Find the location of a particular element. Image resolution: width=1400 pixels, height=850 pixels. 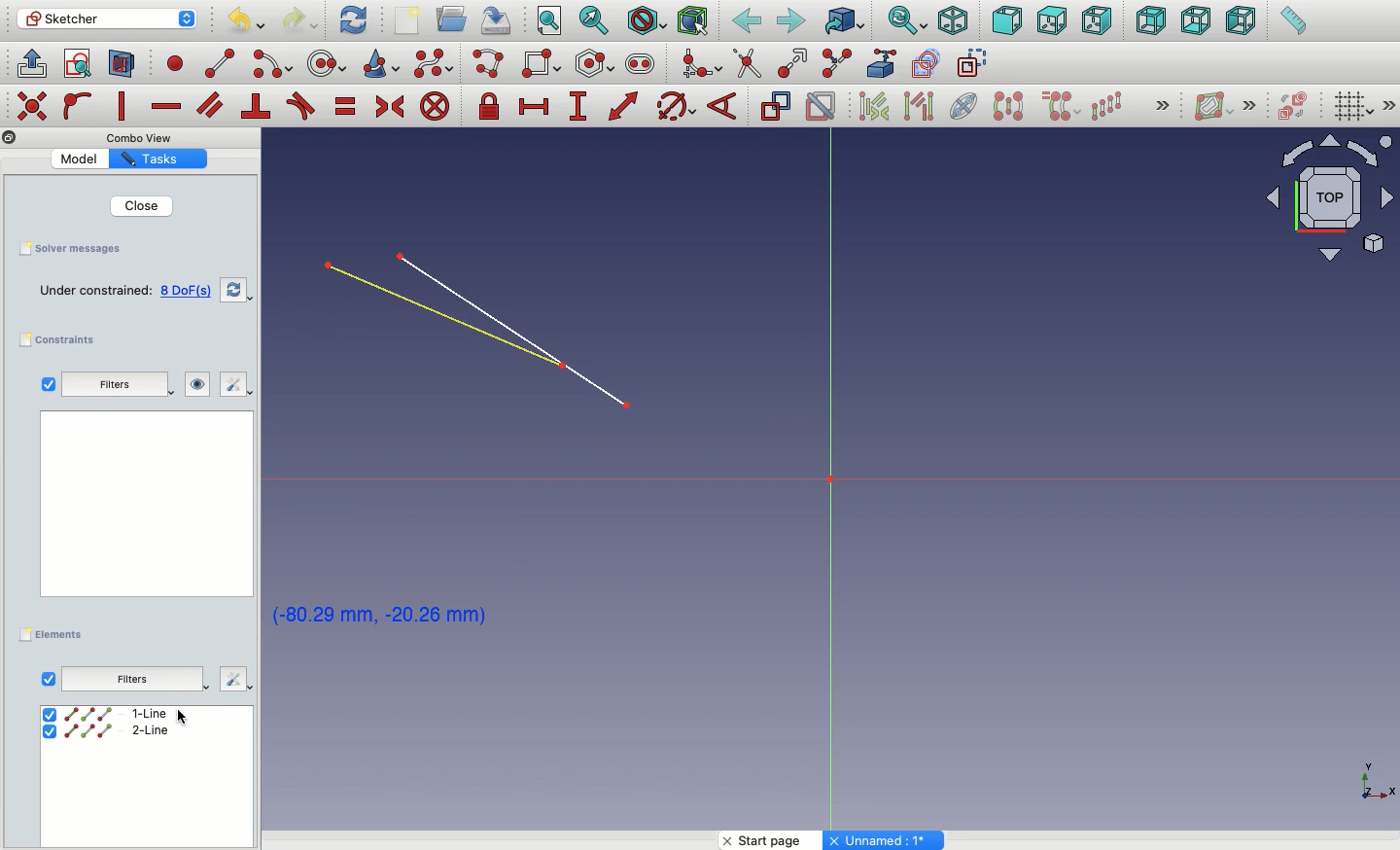

Measure is located at coordinates (1291, 22).